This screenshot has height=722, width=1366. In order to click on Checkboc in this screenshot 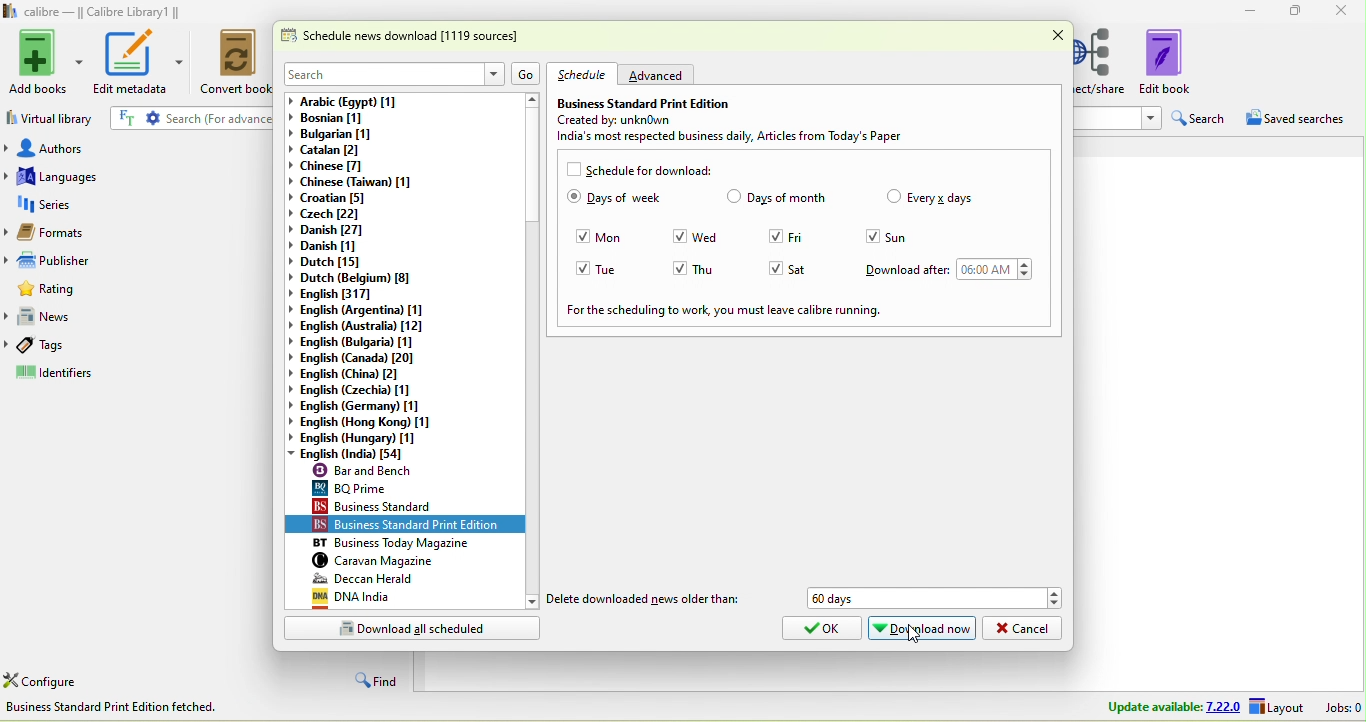, I will do `click(572, 168)`.